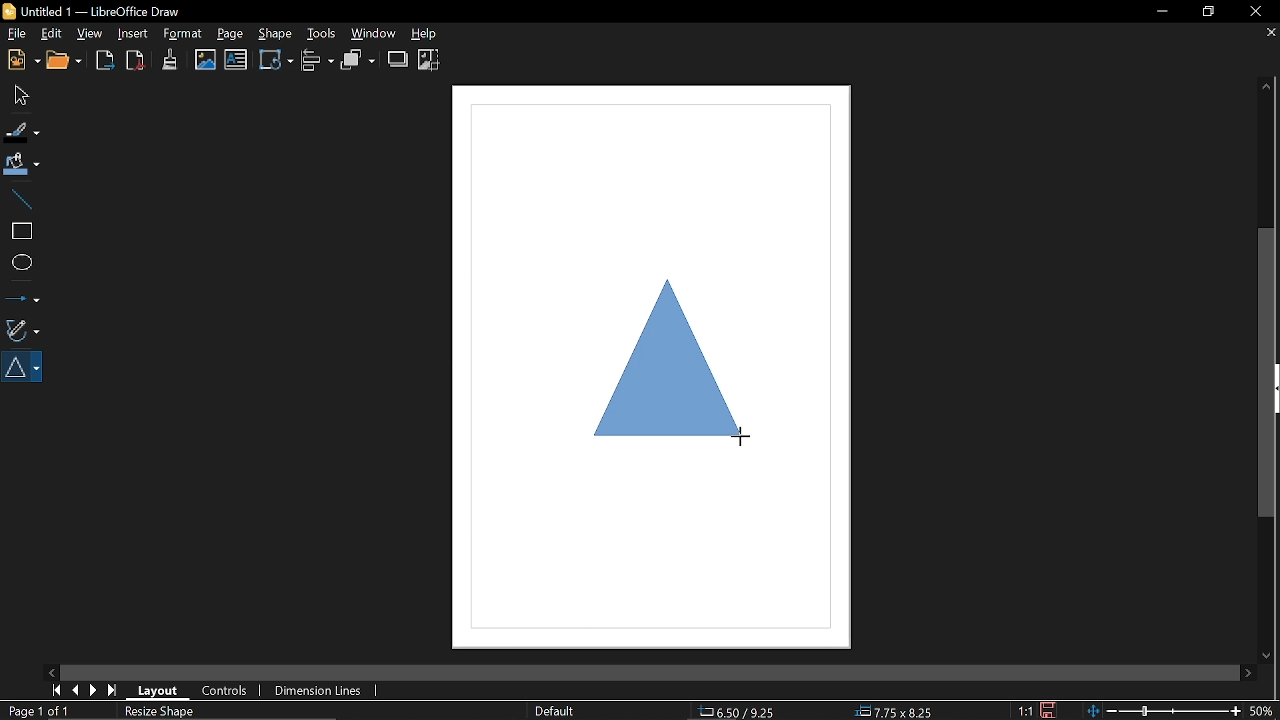 The height and width of the screenshot is (720, 1280). What do you see at coordinates (75, 691) in the screenshot?
I see `Previous page` at bounding box center [75, 691].